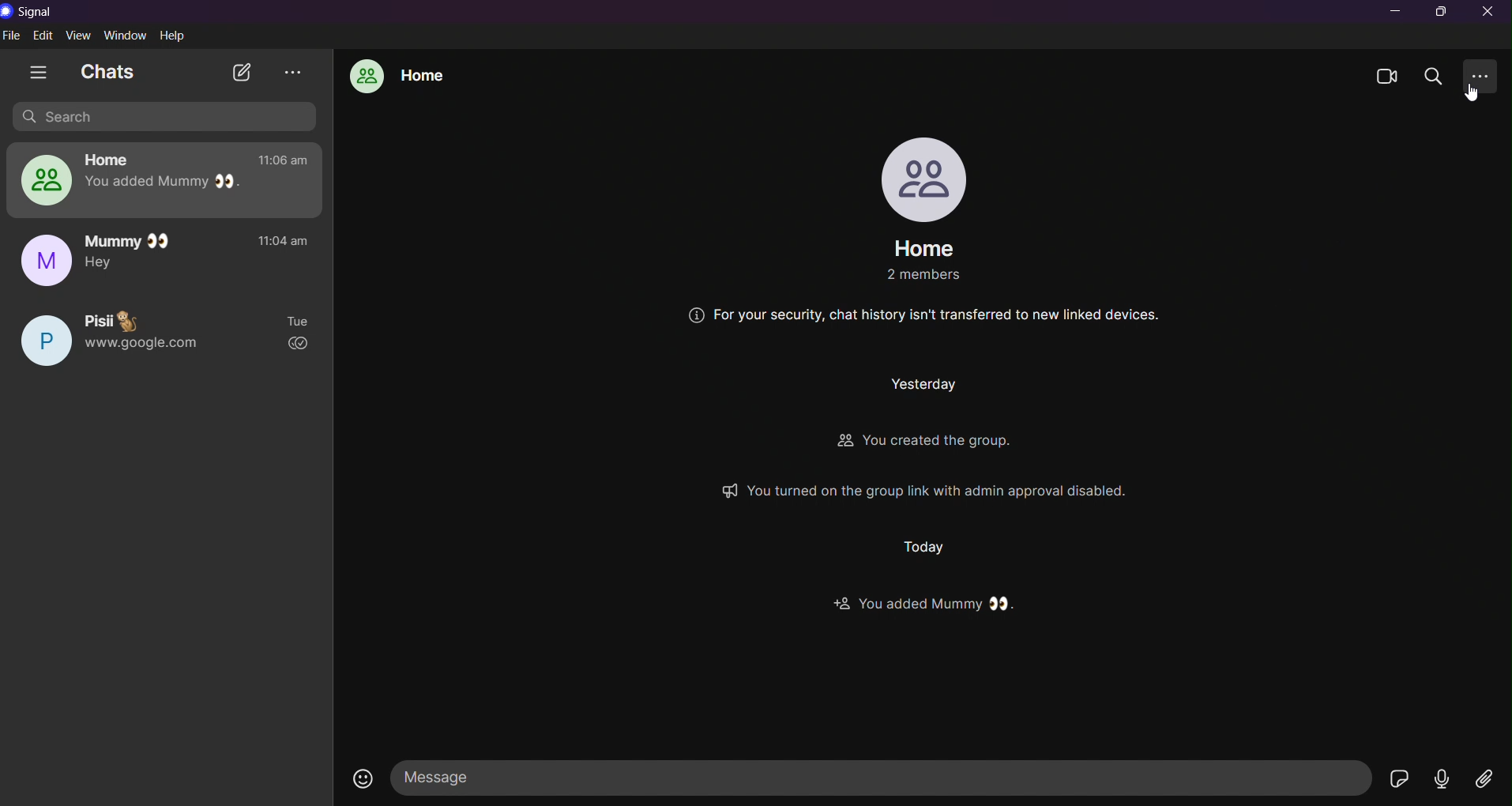 This screenshot has width=1512, height=806. Describe the element at coordinates (244, 73) in the screenshot. I see `new chat` at that location.